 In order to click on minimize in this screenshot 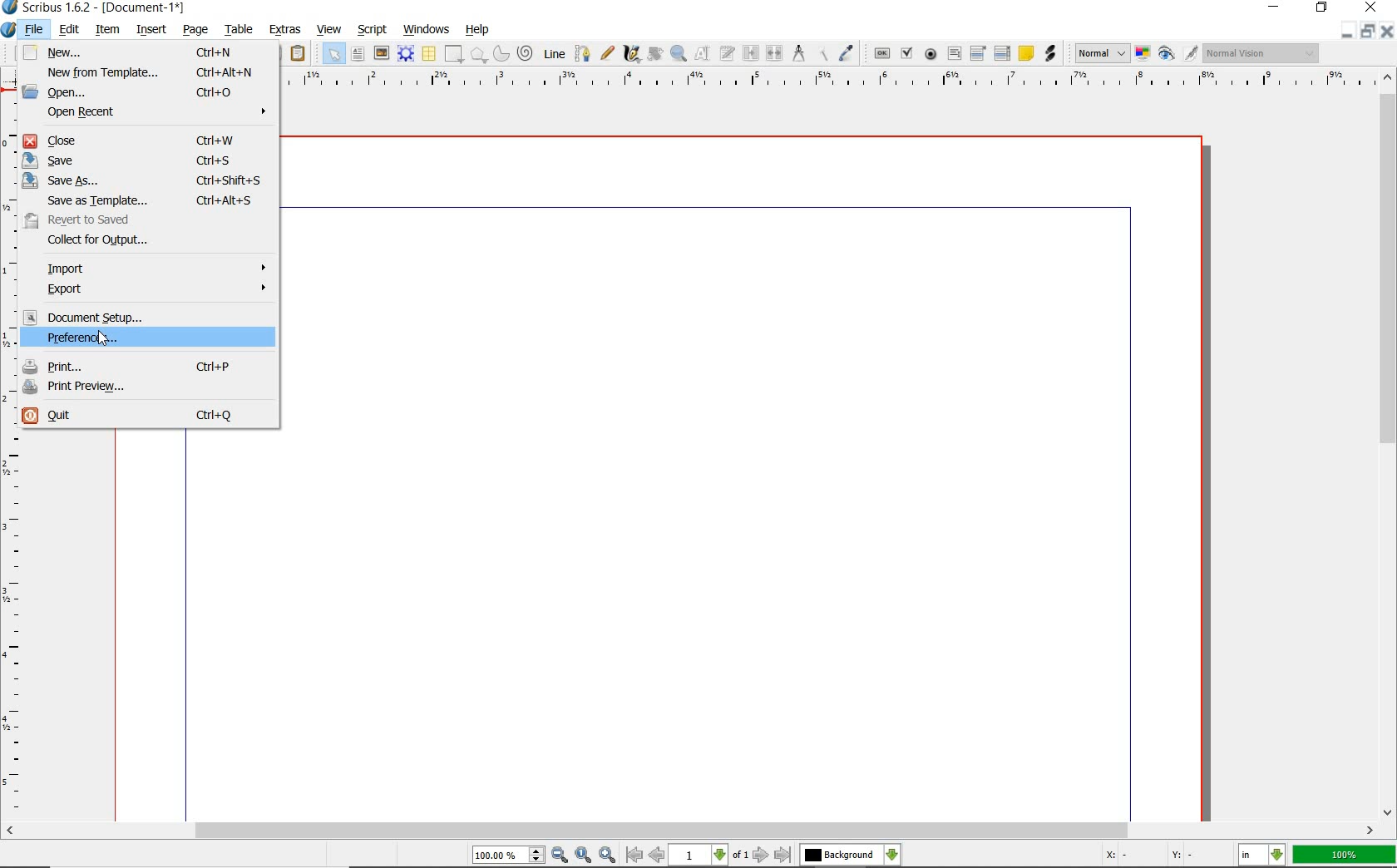, I will do `click(1276, 8)`.